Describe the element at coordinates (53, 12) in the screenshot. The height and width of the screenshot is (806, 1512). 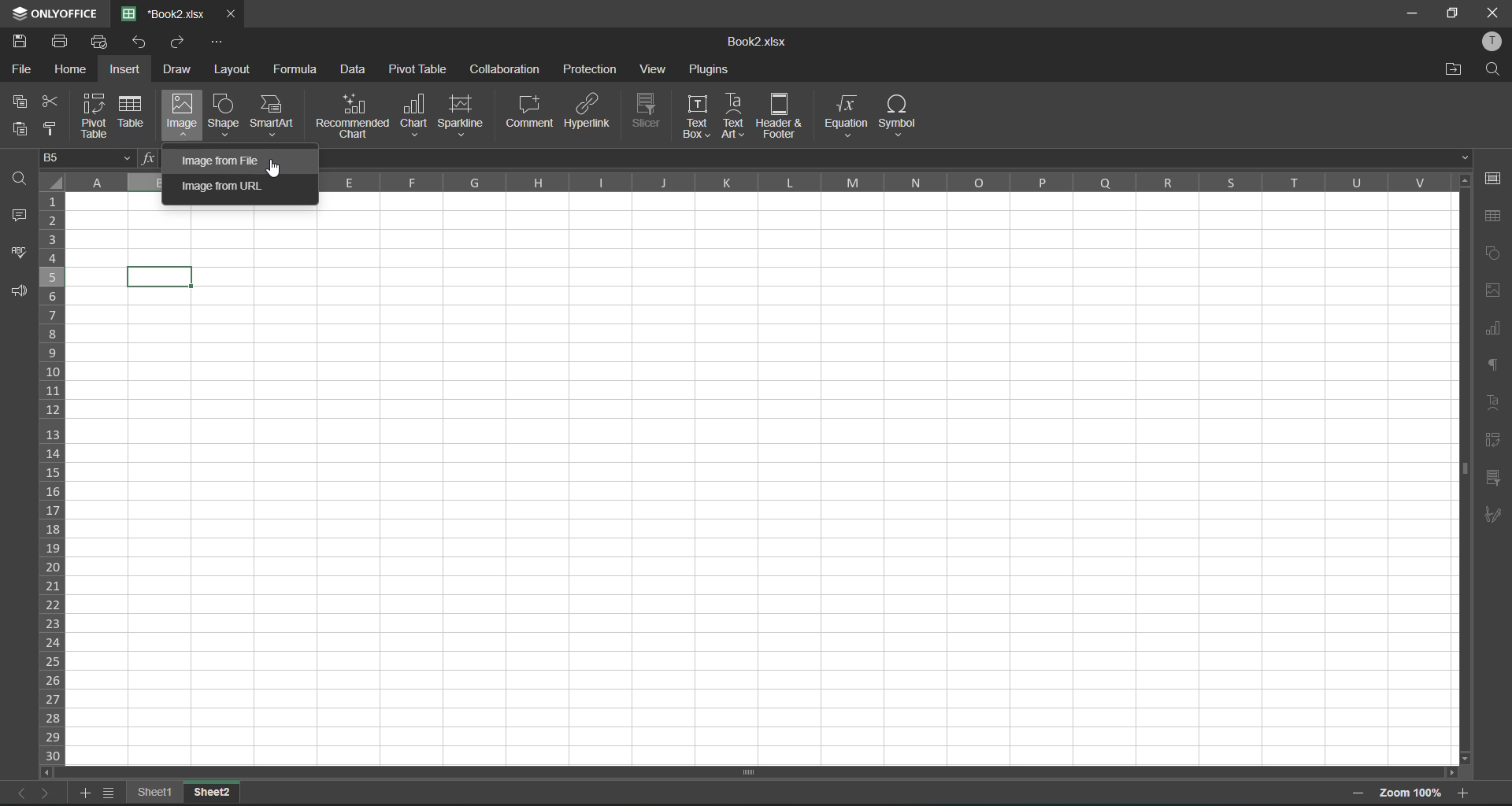
I see `ONLY OFFICE` at that location.